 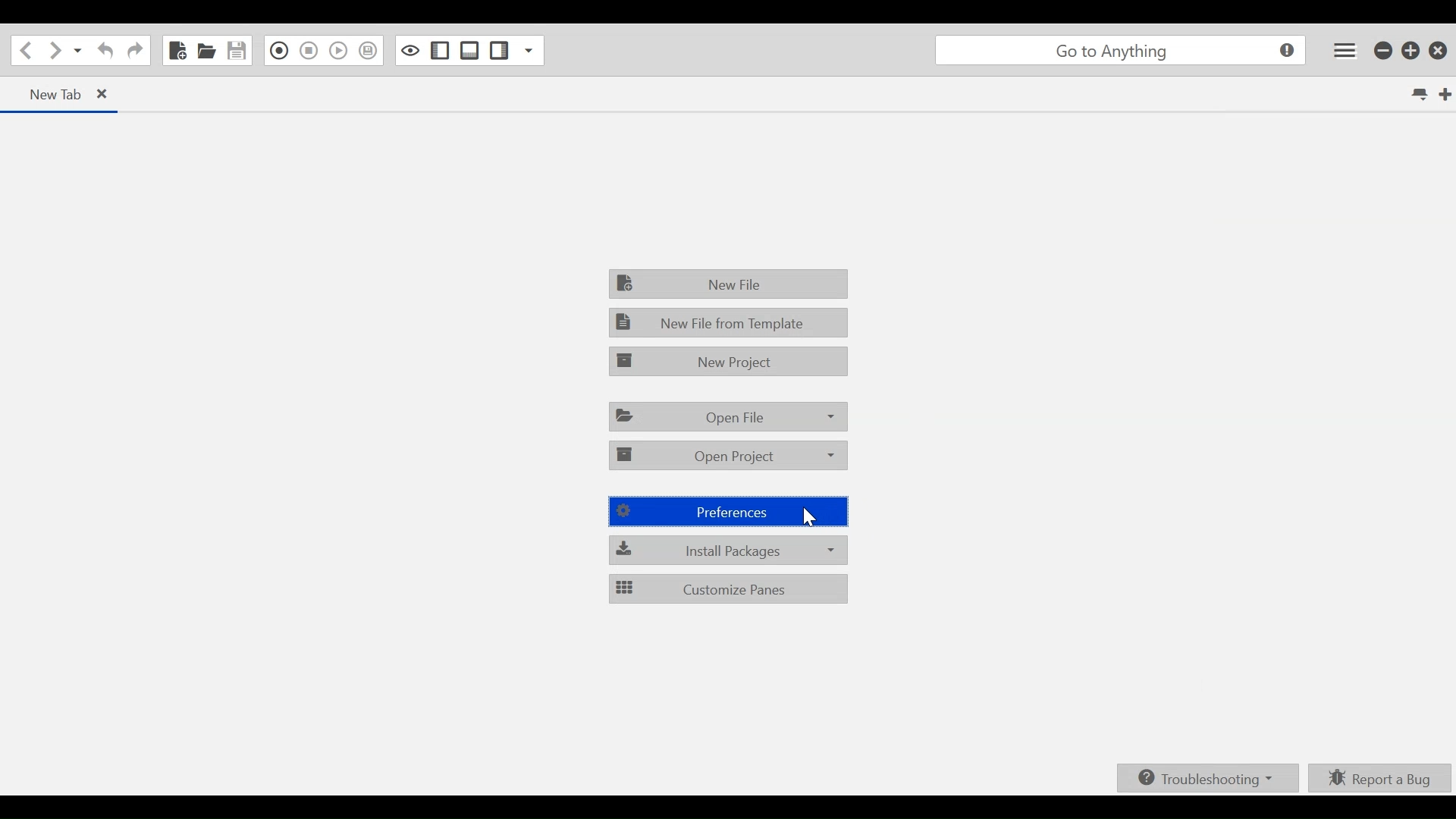 I want to click on Show Specific Sidebar, so click(x=527, y=51).